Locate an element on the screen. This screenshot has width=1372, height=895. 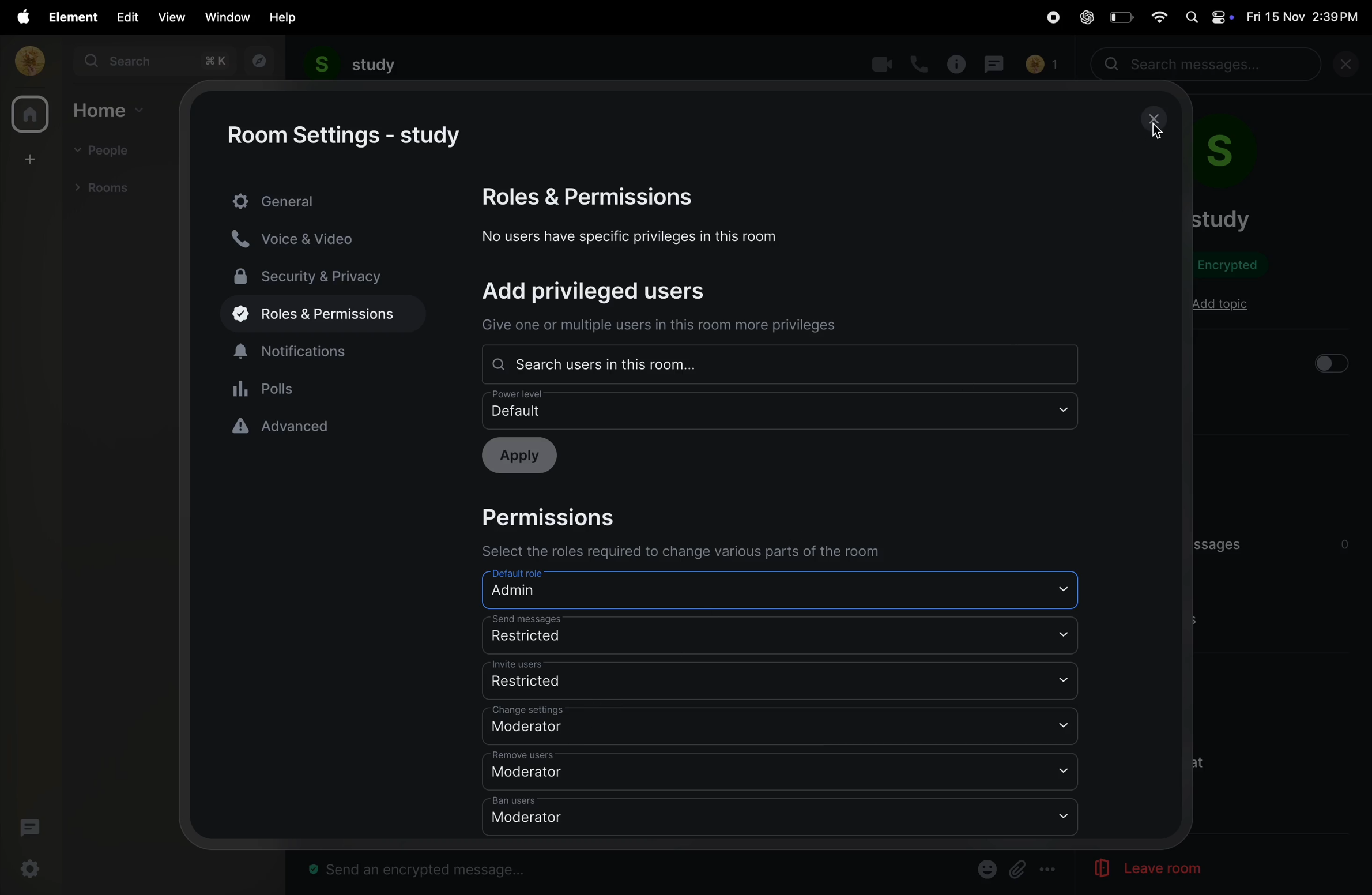
Add privileged users
Give one or multiple users in this room more privileges is located at coordinates (670, 306).